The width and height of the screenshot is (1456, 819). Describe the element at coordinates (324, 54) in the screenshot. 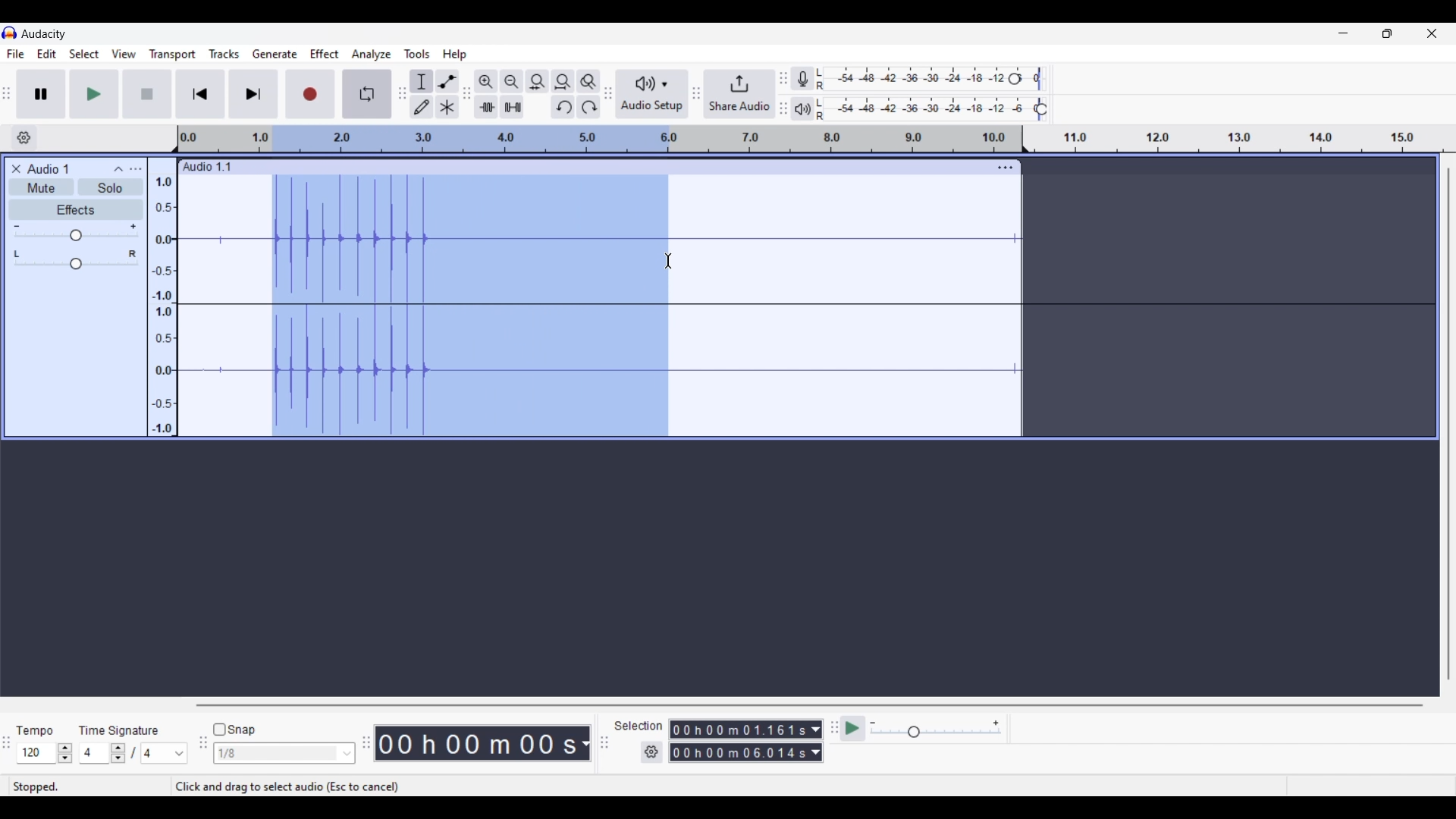

I see `Effect menu` at that location.